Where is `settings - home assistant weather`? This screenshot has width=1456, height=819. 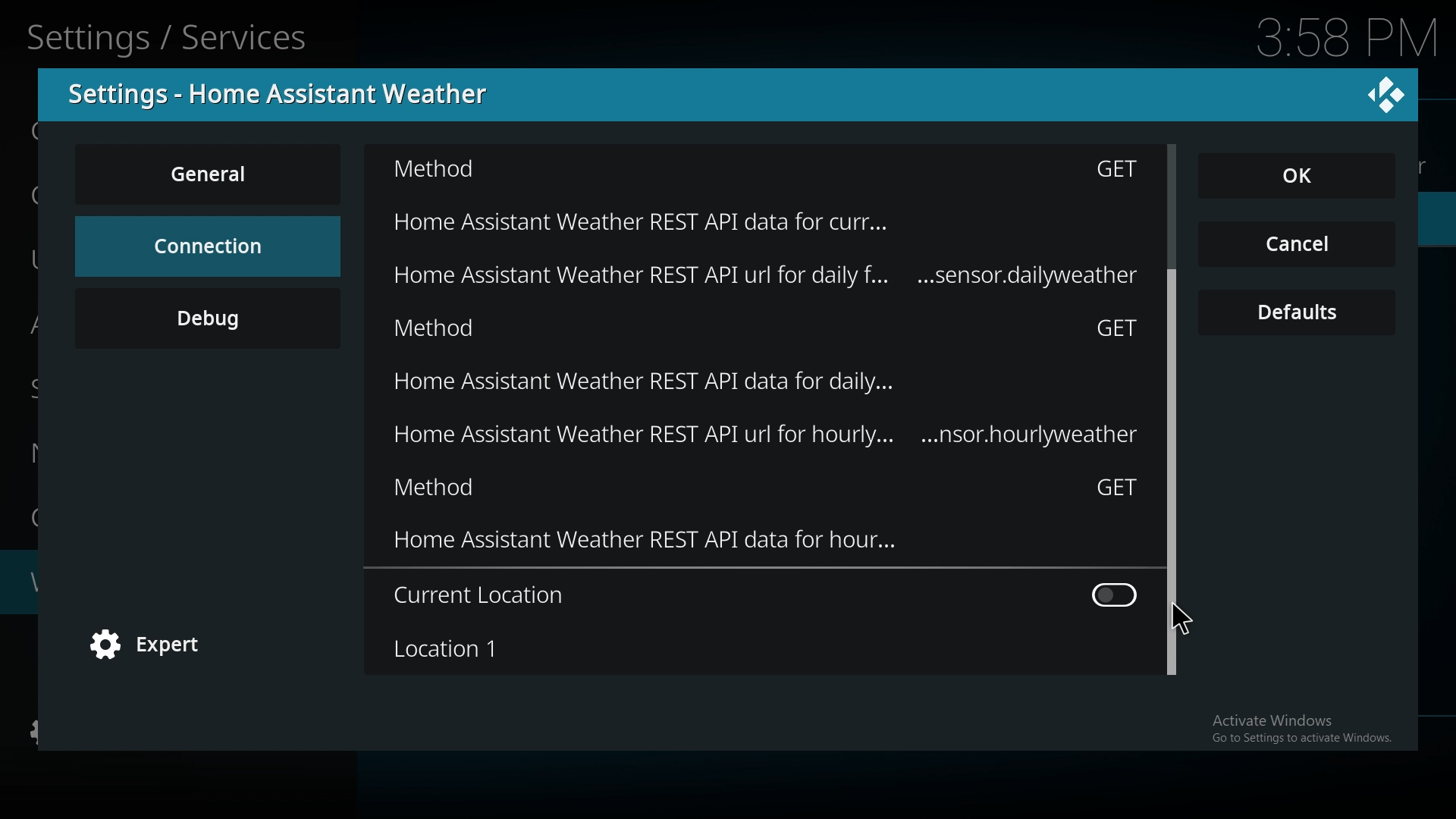
settings - home assistant weather is located at coordinates (287, 94).